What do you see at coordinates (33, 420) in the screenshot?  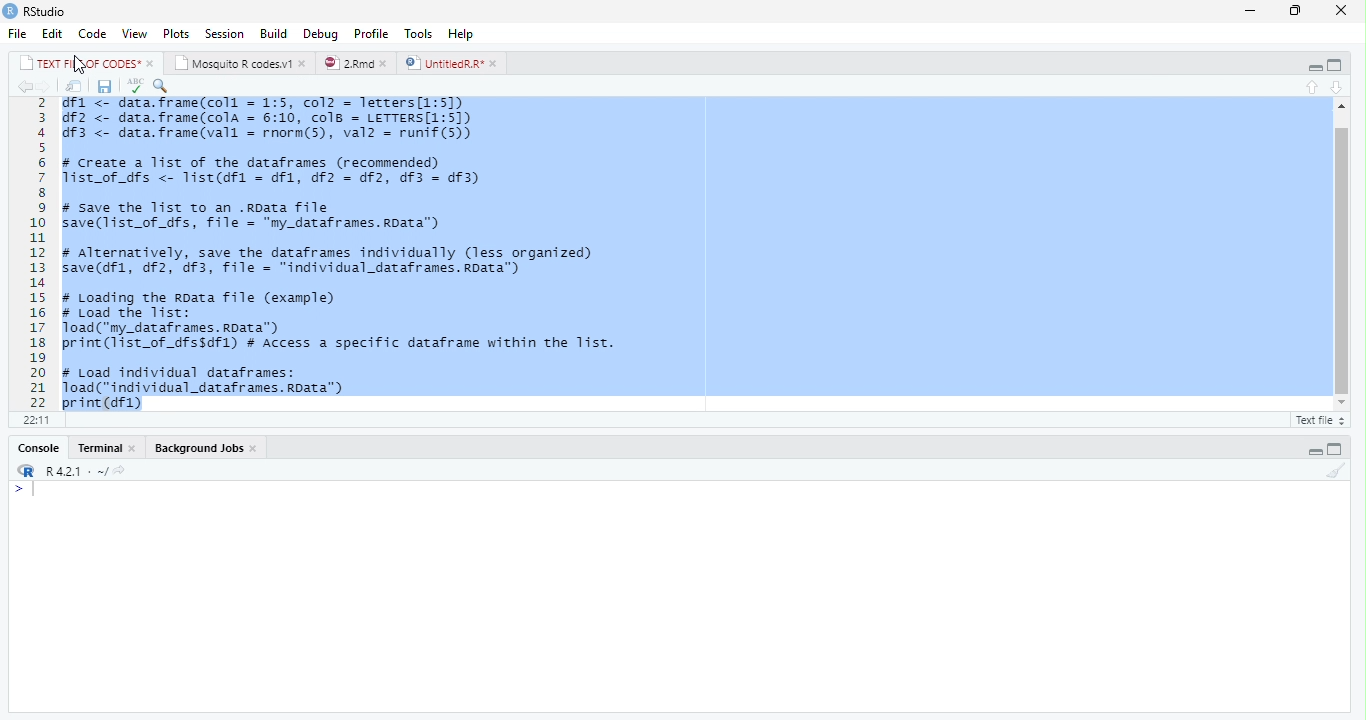 I see `1:1` at bounding box center [33, 420].